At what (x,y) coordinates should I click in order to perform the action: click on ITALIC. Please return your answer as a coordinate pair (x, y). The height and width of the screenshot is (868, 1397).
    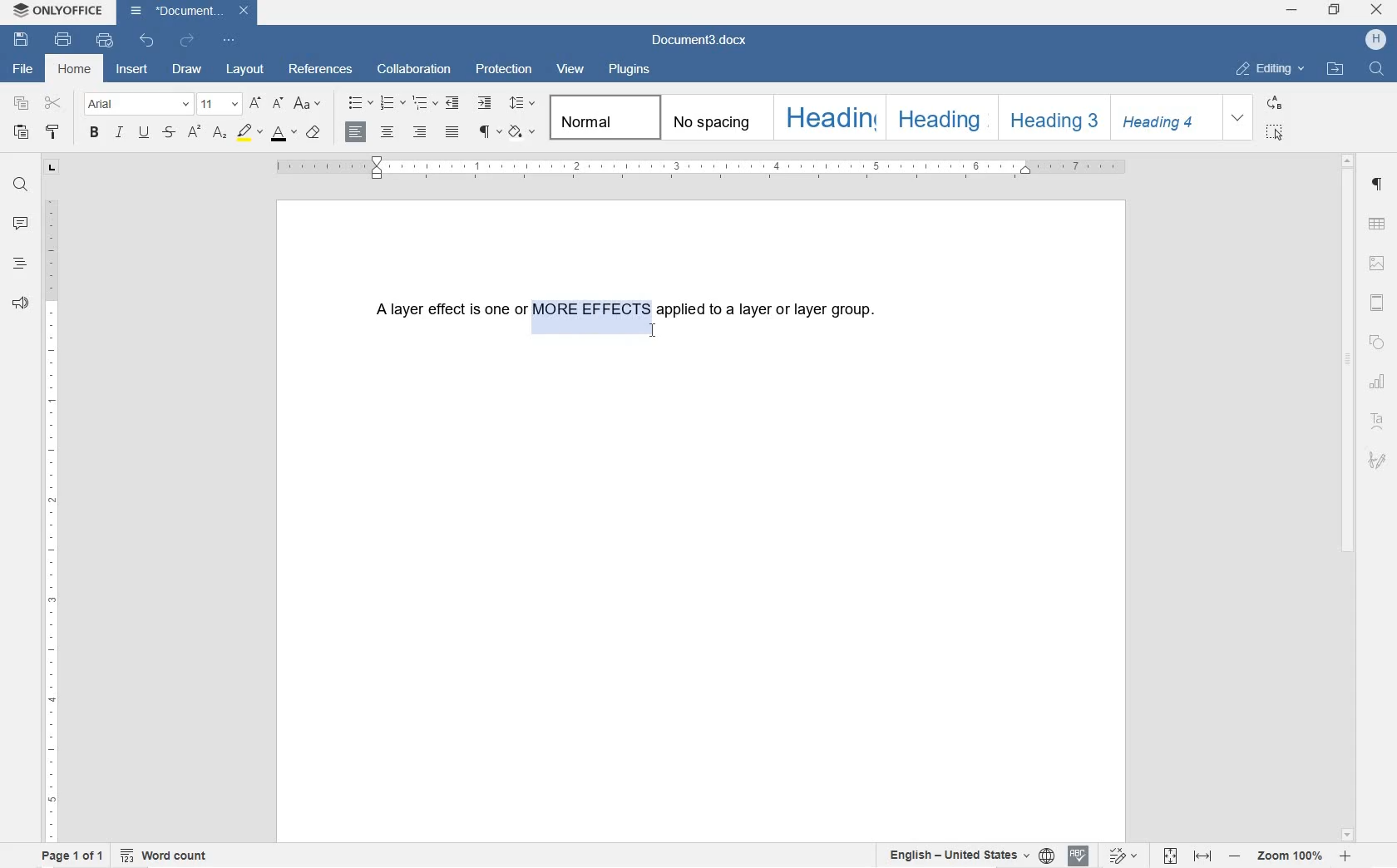
    Looking at the image, I should click on (121, 133).